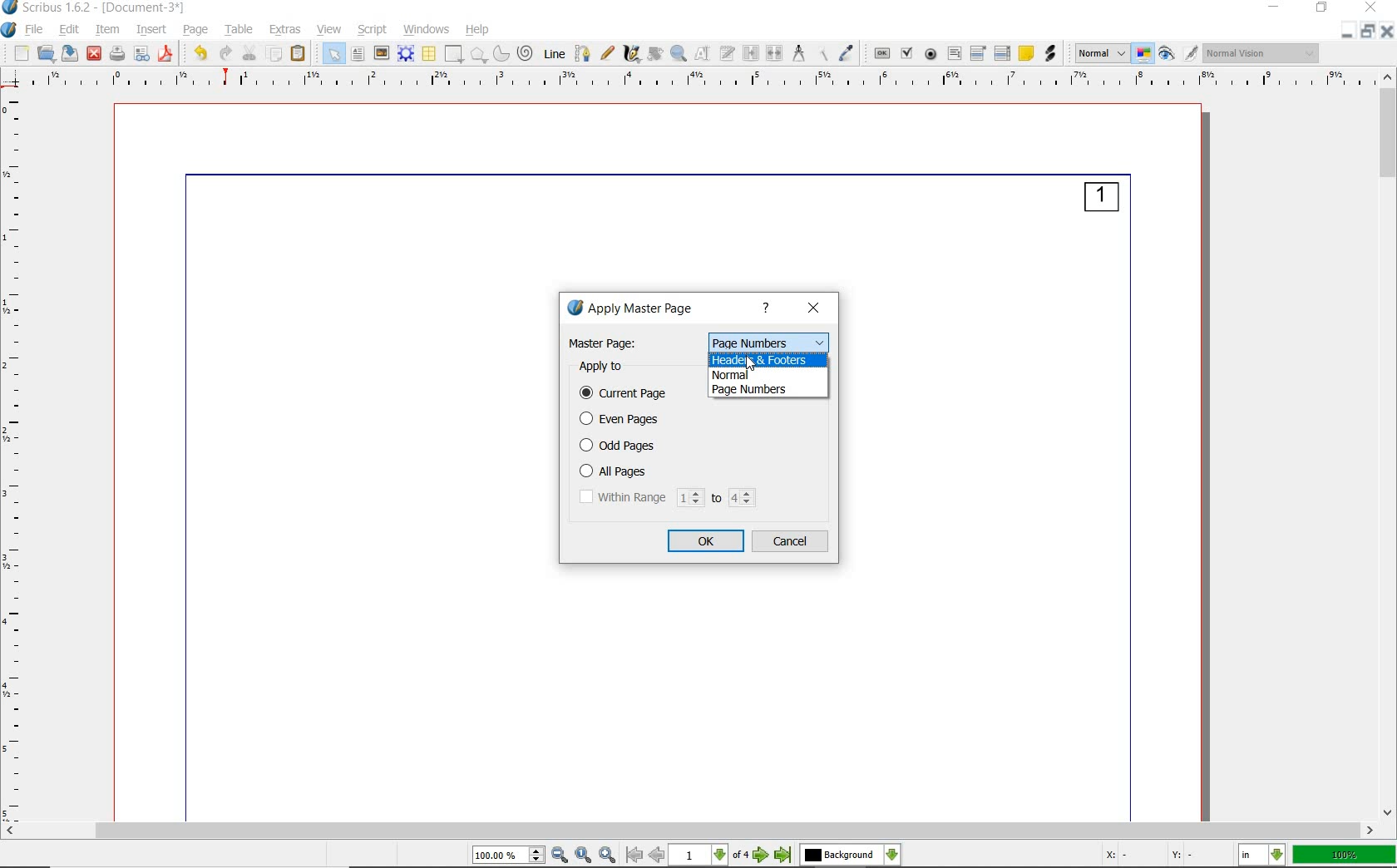 This screenshot has width=1397, height=868. What do you see at coordinates (727, 53) in the screenshot?
I see `edit text with story editor` at bounding box center [727, 53].